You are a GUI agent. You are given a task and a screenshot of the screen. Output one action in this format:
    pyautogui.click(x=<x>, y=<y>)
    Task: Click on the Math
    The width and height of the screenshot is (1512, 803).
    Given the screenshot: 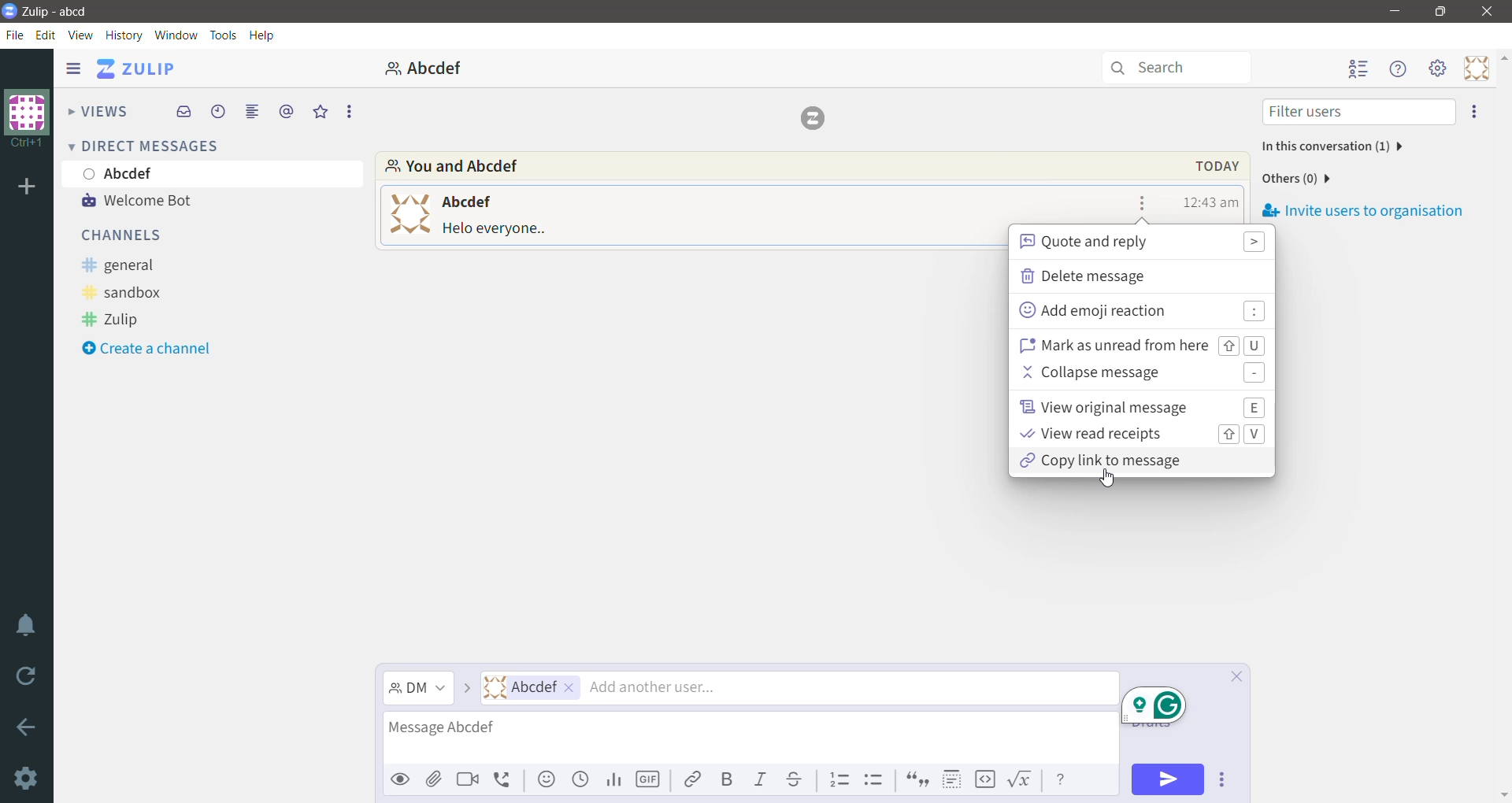 What is the action you would take?
    pyautogui.click(x=1022, y=781)
    